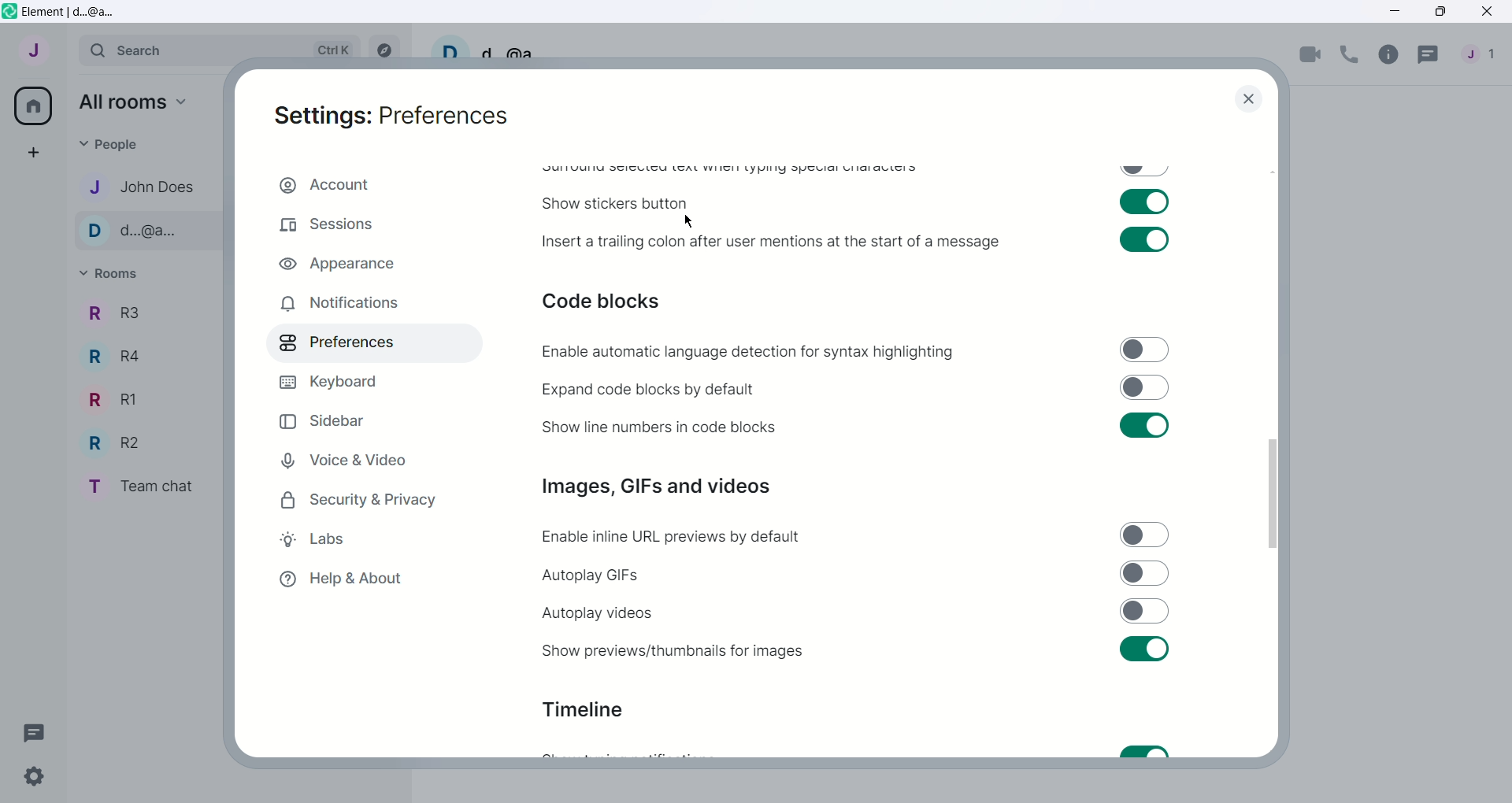 The image size is (1512, 803). What do you see at coordinates (120, 358) in the screenshot?
I see `R4 - Room Name` at bounding box center [120, 358].